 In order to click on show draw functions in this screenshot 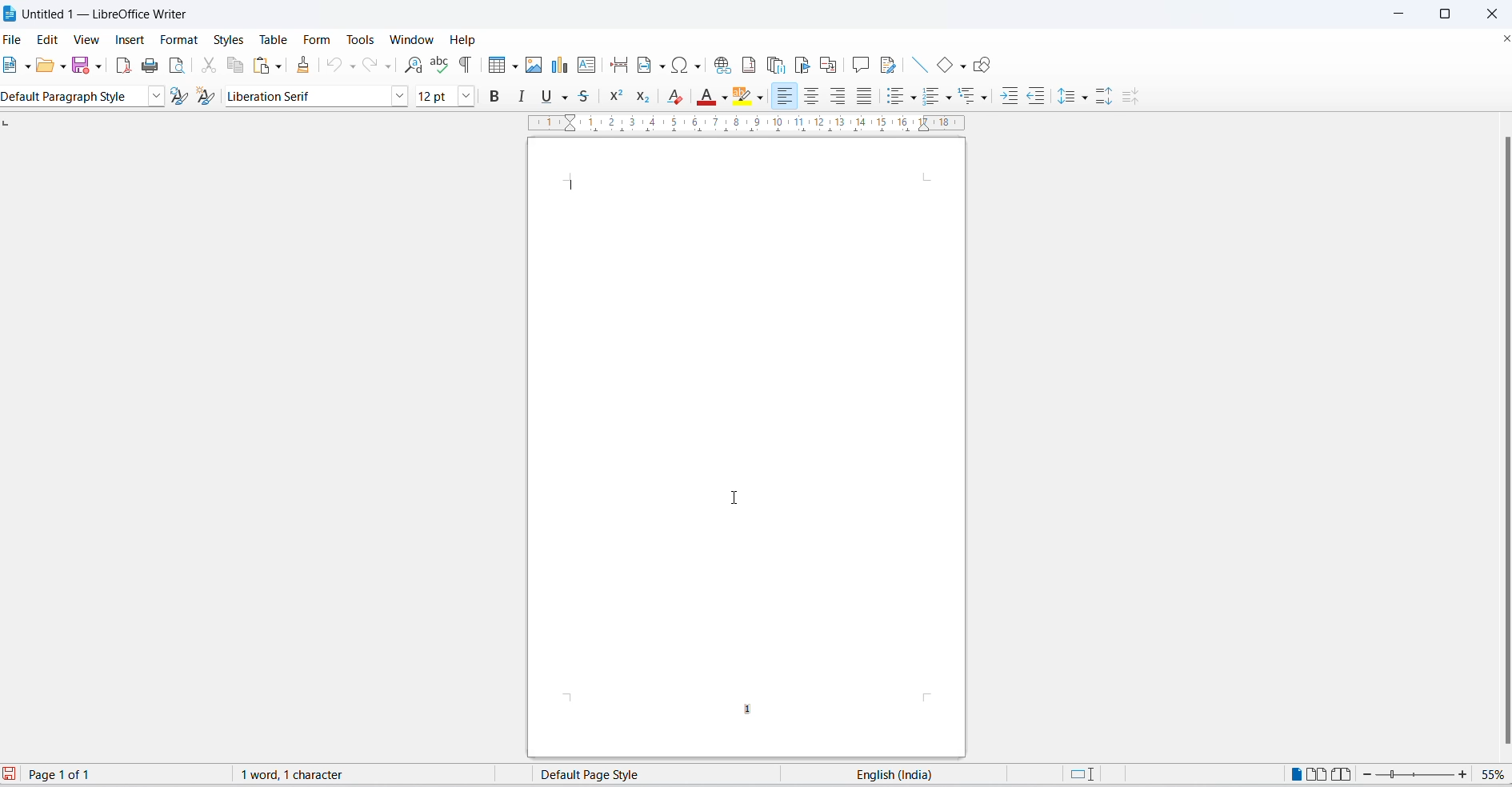, I will do `click(981, 65)`.